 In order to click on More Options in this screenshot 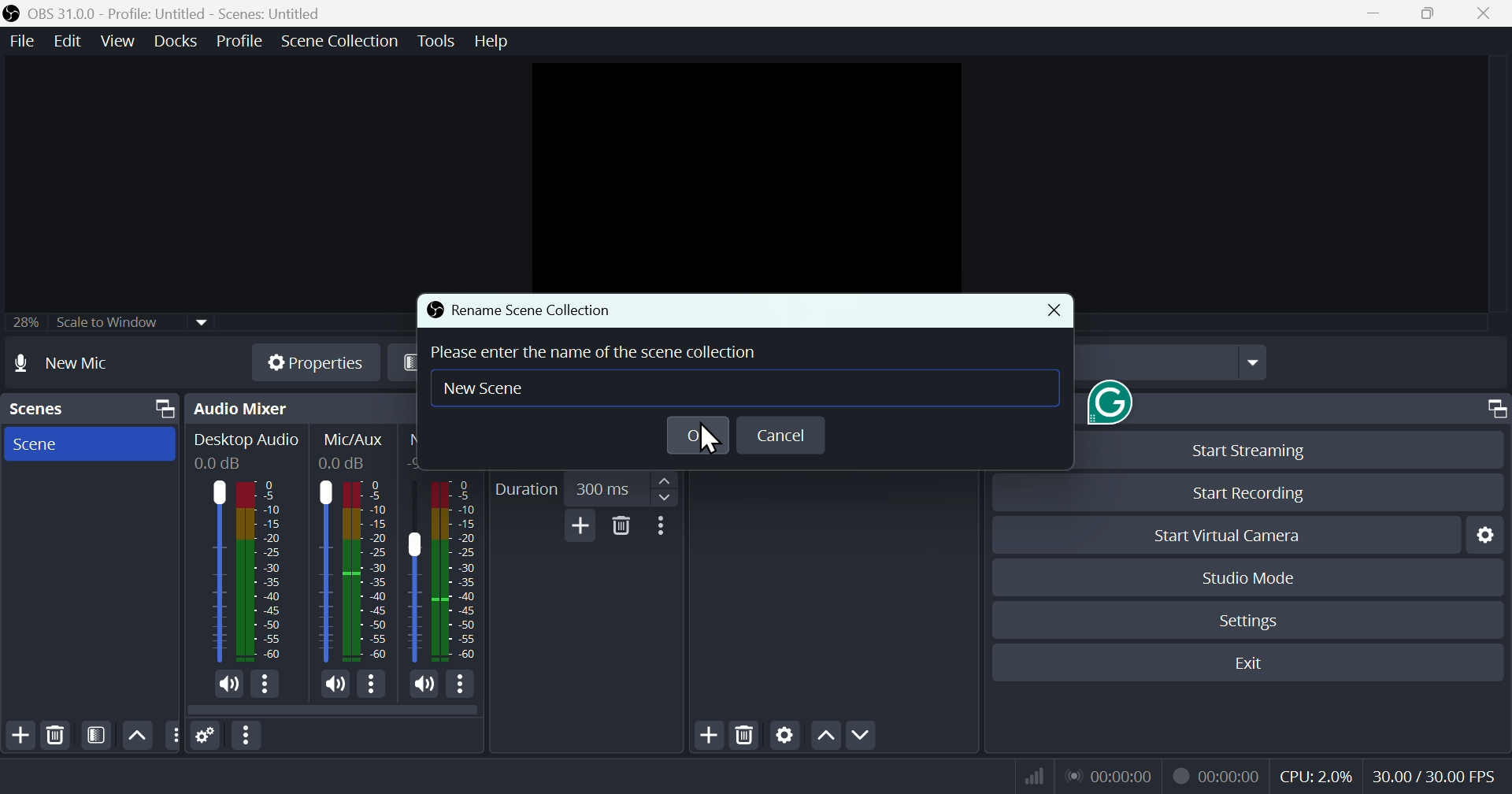, I will do `click(464, 685)`.